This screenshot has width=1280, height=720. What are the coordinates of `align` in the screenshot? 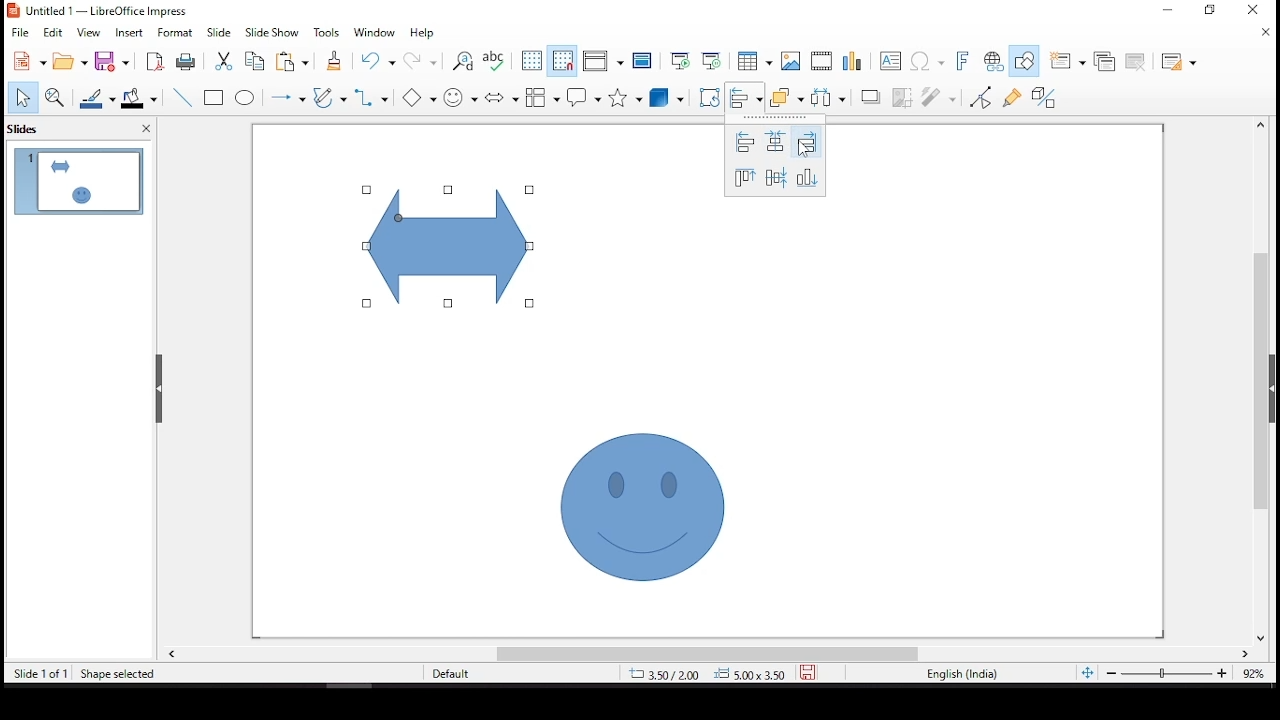 It's located at (744, 98).